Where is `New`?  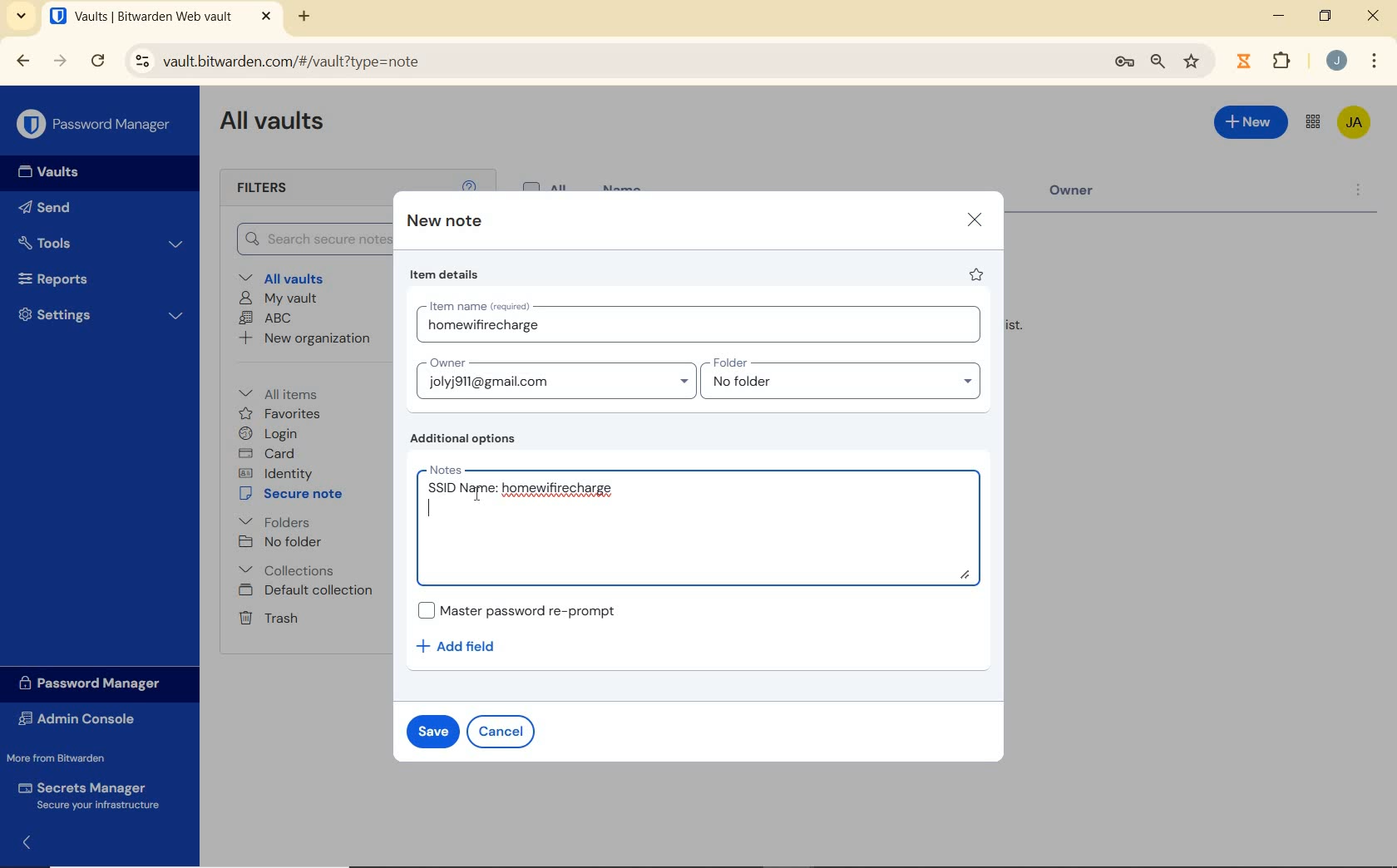 New is located at coordinates (1251, 126).